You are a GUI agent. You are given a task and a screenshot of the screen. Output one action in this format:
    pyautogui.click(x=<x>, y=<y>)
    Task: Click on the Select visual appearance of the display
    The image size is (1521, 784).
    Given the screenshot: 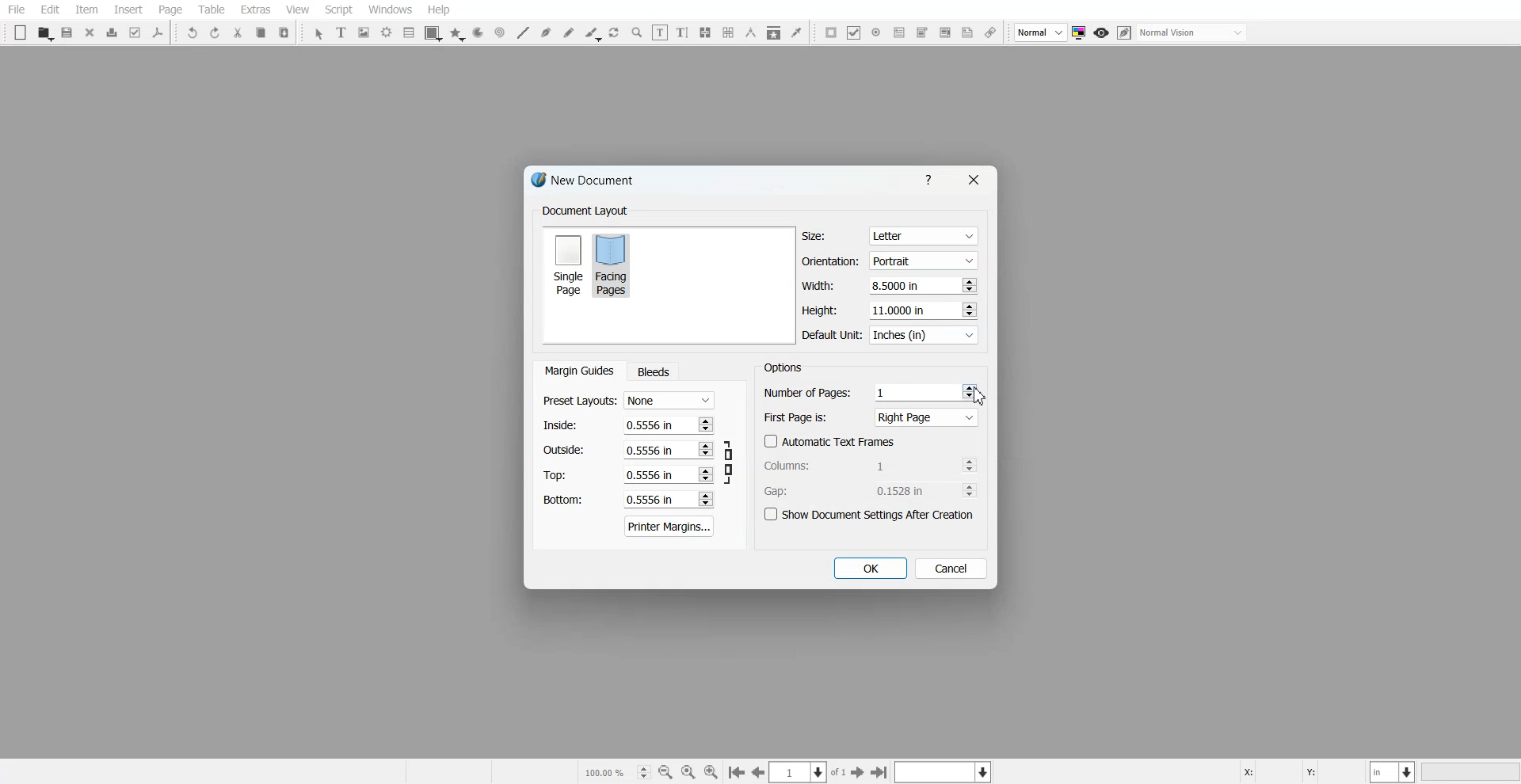 What is the action you would take?
    pyautogui.click(x=1193, y=33)
    